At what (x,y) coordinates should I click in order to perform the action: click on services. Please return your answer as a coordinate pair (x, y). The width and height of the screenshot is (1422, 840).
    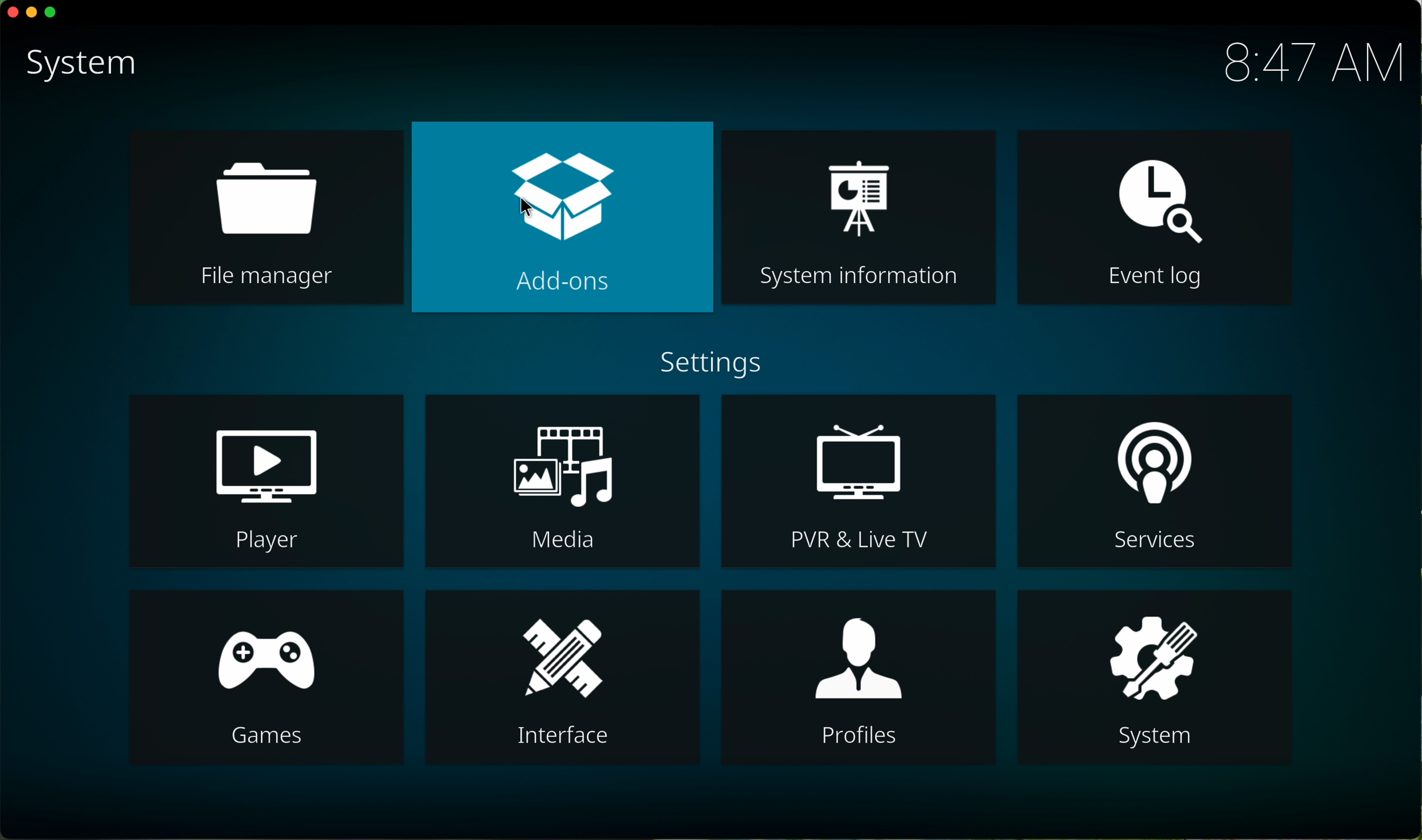
    Looking at the image, I should click on (1155, 482).